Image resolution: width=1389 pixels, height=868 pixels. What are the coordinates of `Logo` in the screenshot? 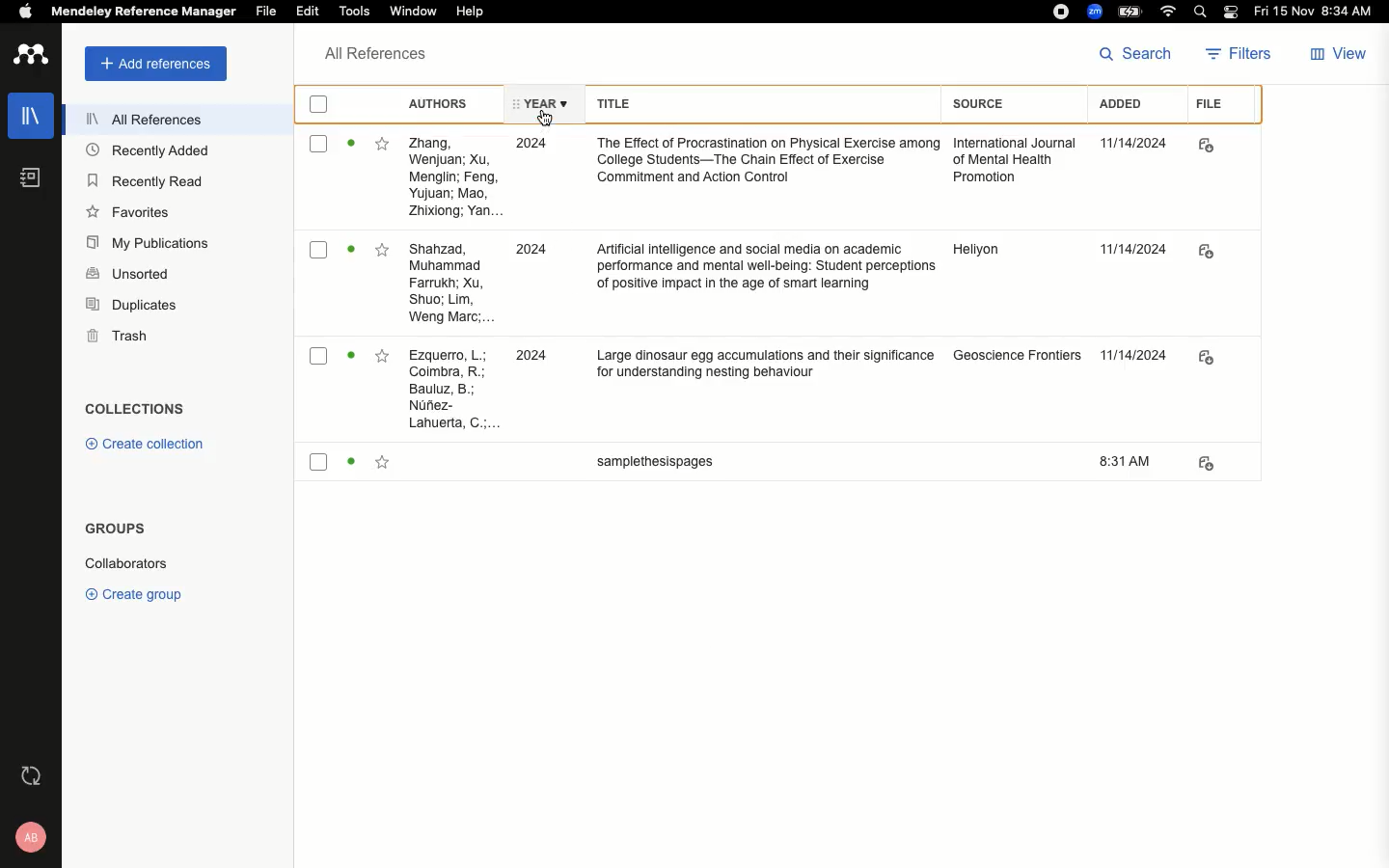 It's located at (28, 54).